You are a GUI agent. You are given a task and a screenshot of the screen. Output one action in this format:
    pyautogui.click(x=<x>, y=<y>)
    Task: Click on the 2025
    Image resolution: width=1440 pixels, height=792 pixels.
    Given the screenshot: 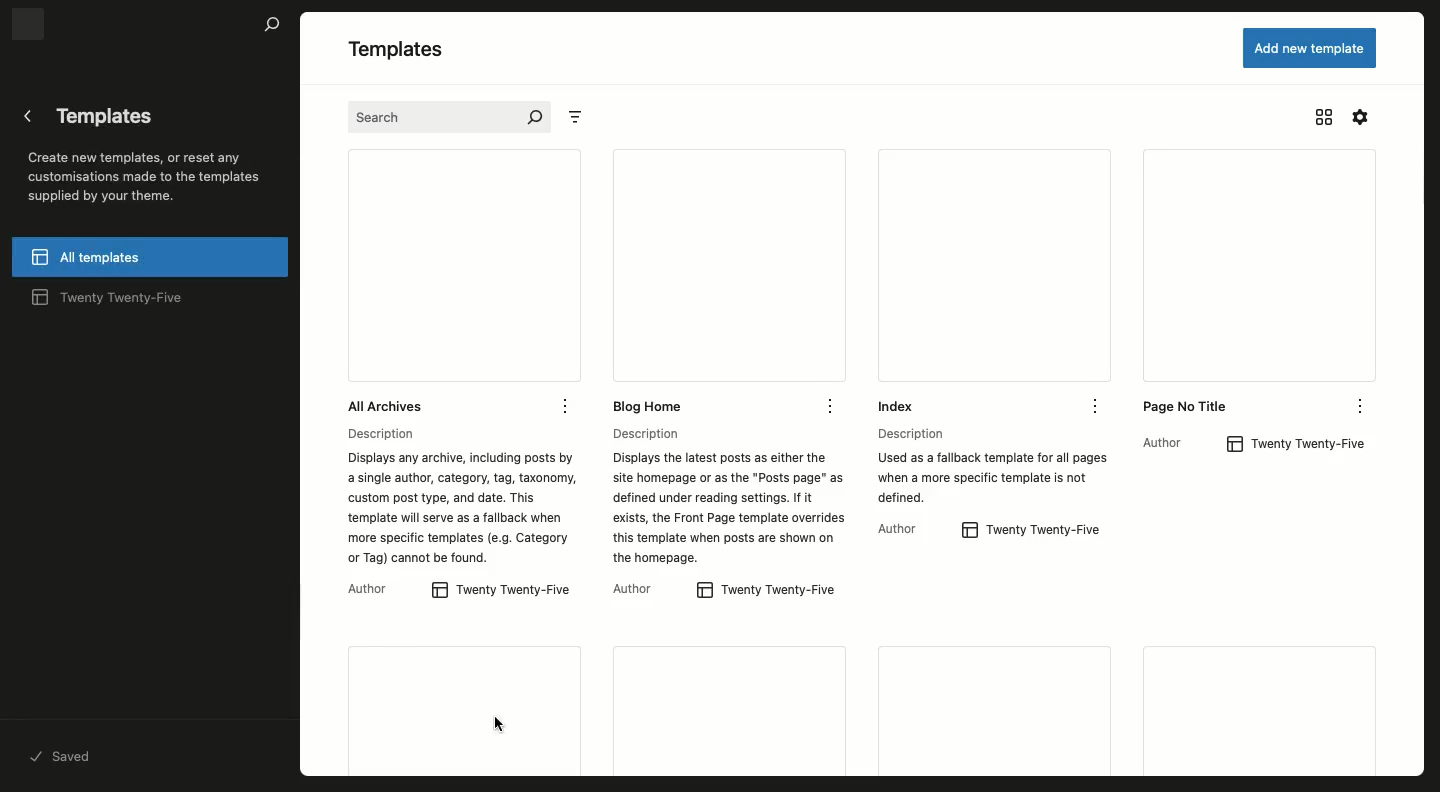 What is the action you would take?
    pyautogui.click(x=111, y=299)
    